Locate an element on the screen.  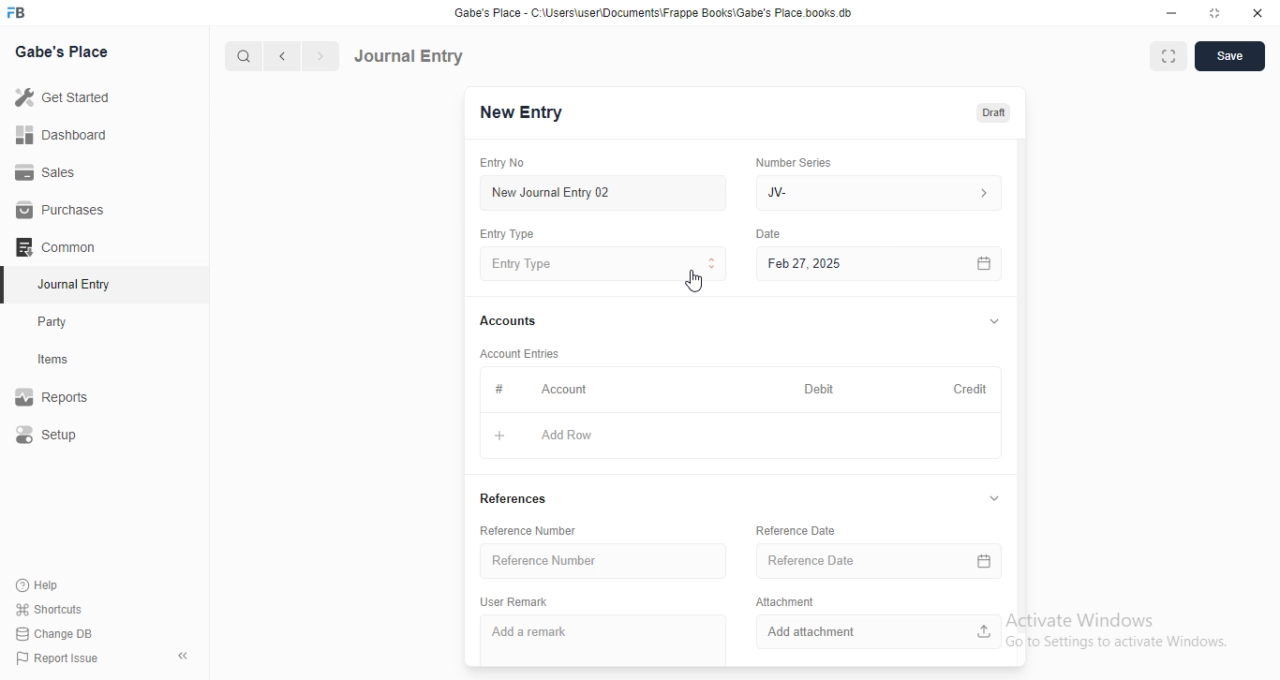
Entry No is located at coordinates (507, 162).